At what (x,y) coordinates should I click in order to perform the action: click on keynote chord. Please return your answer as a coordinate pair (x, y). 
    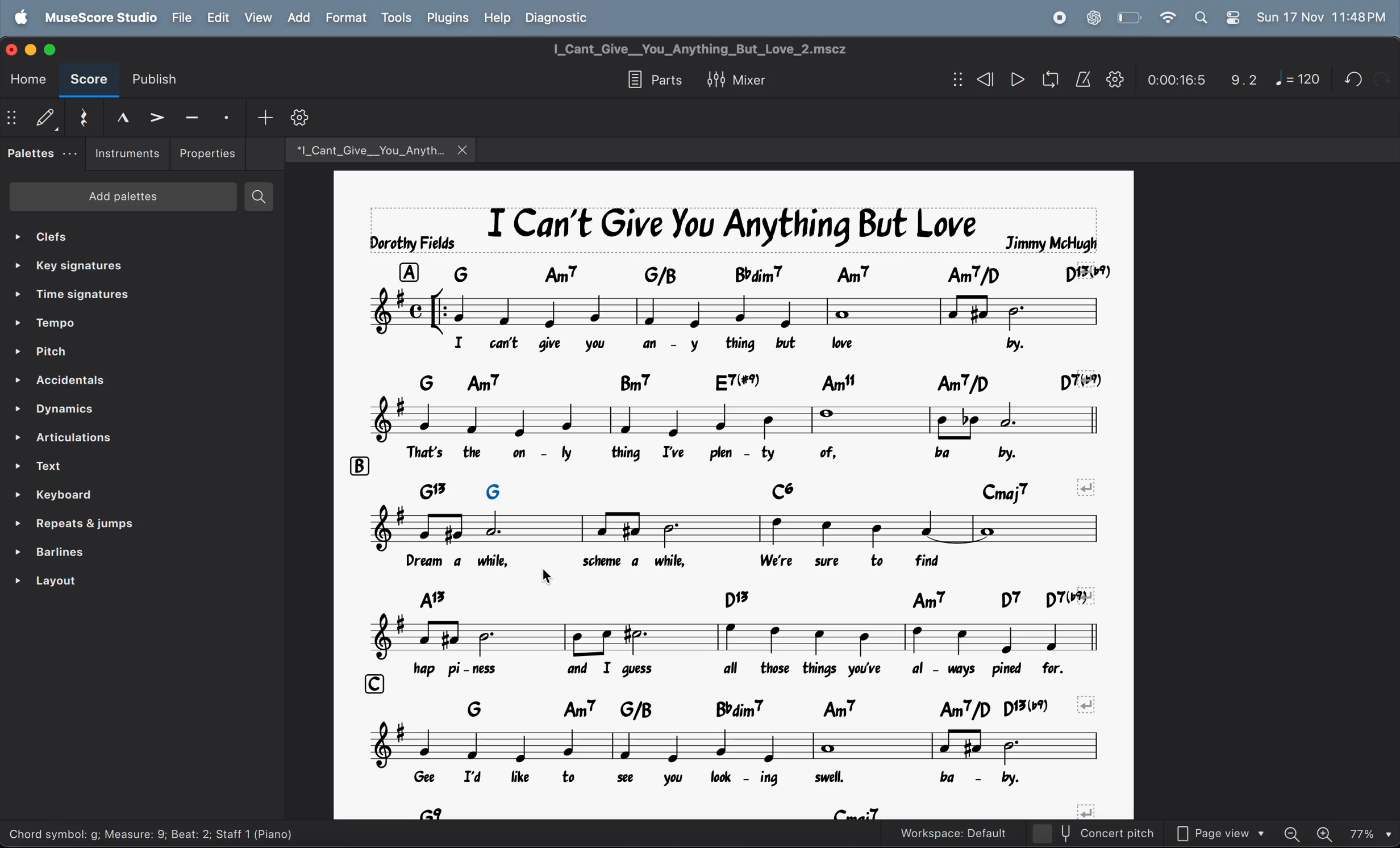
    Looking at the image, I should click on (755, 382).